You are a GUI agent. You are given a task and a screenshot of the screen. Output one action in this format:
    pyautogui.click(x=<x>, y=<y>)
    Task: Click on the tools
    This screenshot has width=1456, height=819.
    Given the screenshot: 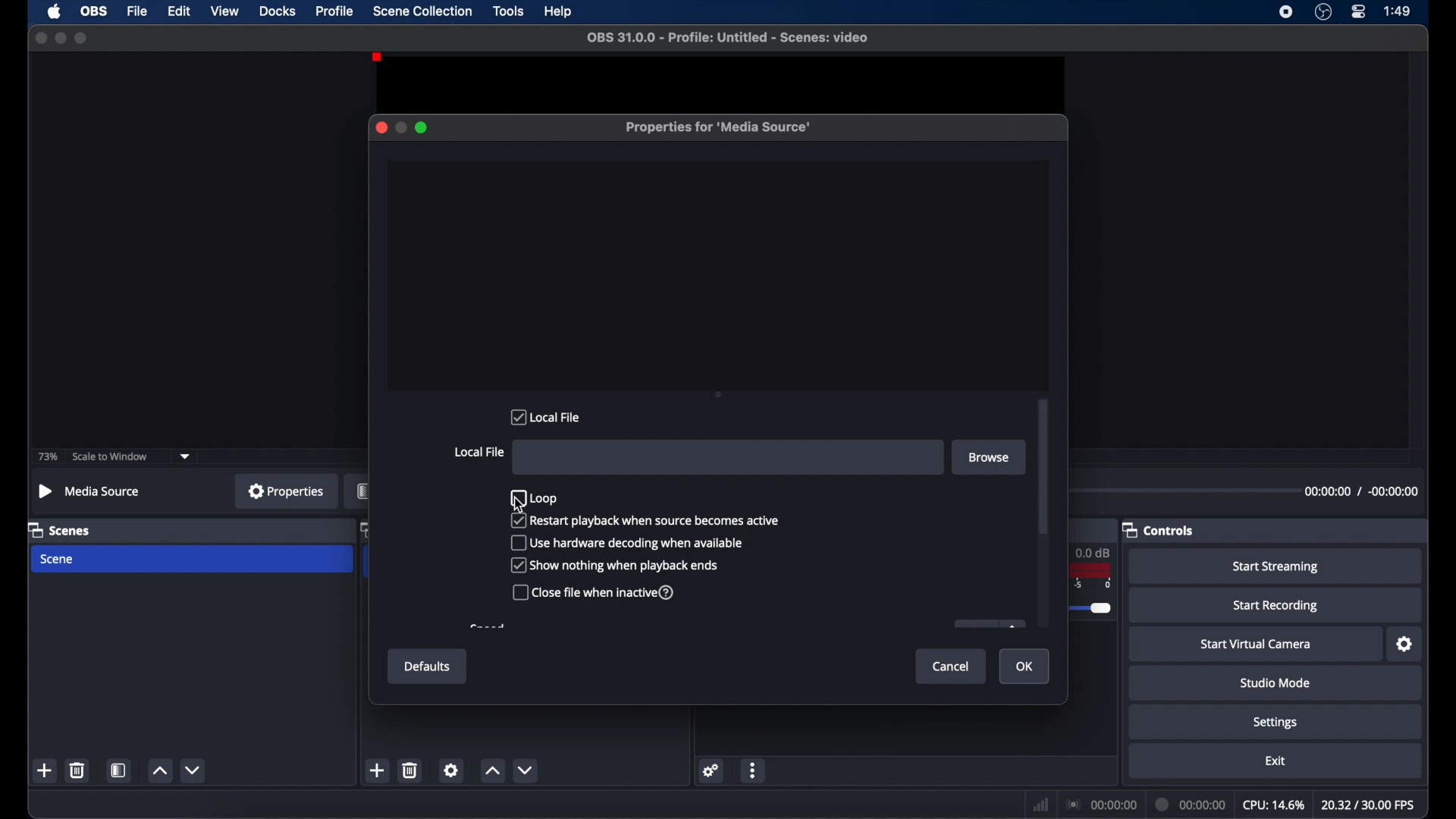 What is the action you would take?
    pyautogui.click(x=510, y=11)
    